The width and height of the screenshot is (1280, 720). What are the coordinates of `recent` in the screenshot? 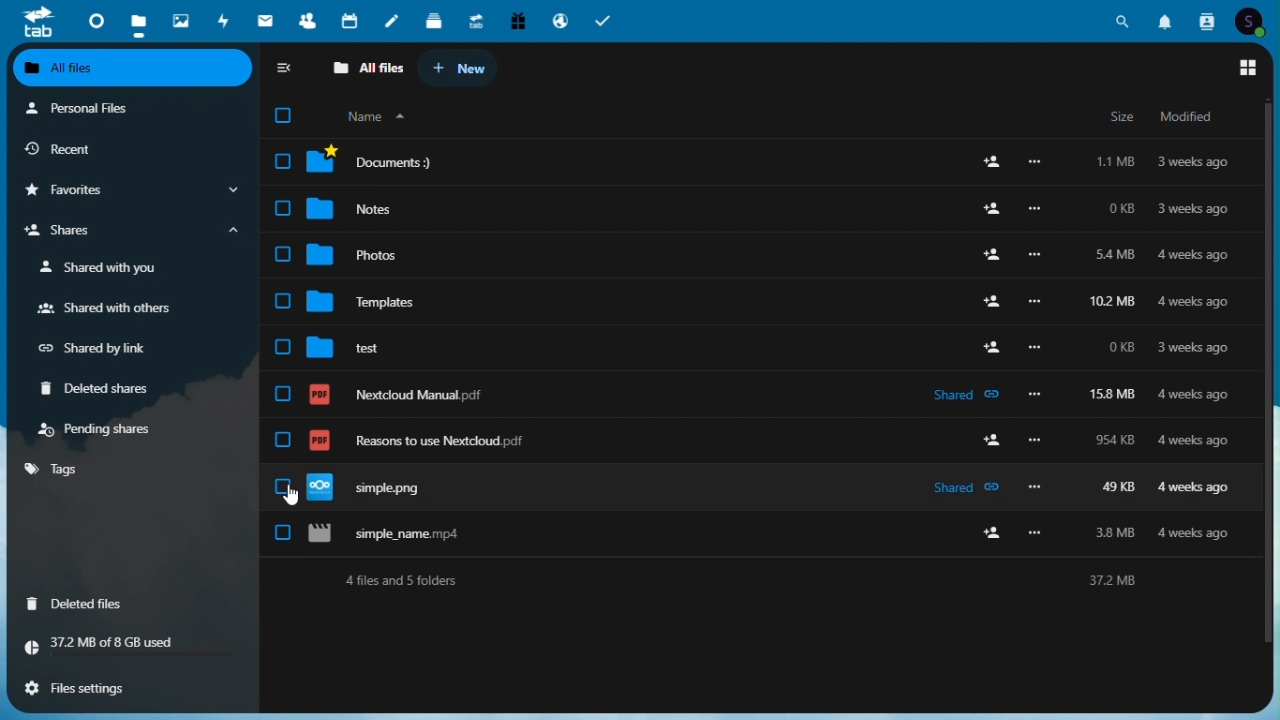 It's located at (129, 149).